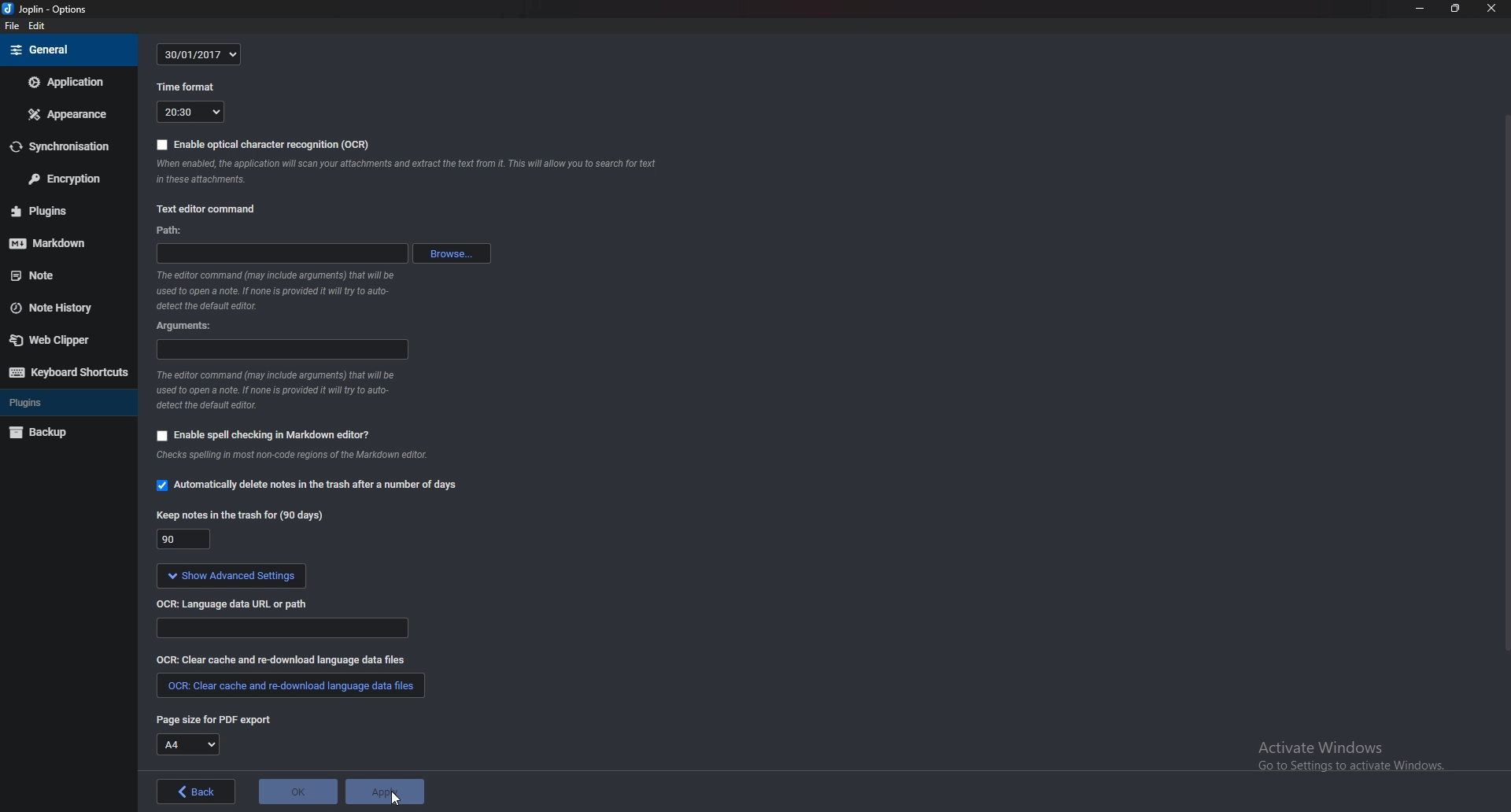 This screenshot has width=1511, height=812. I want to click on cursor, so click(397, 800).